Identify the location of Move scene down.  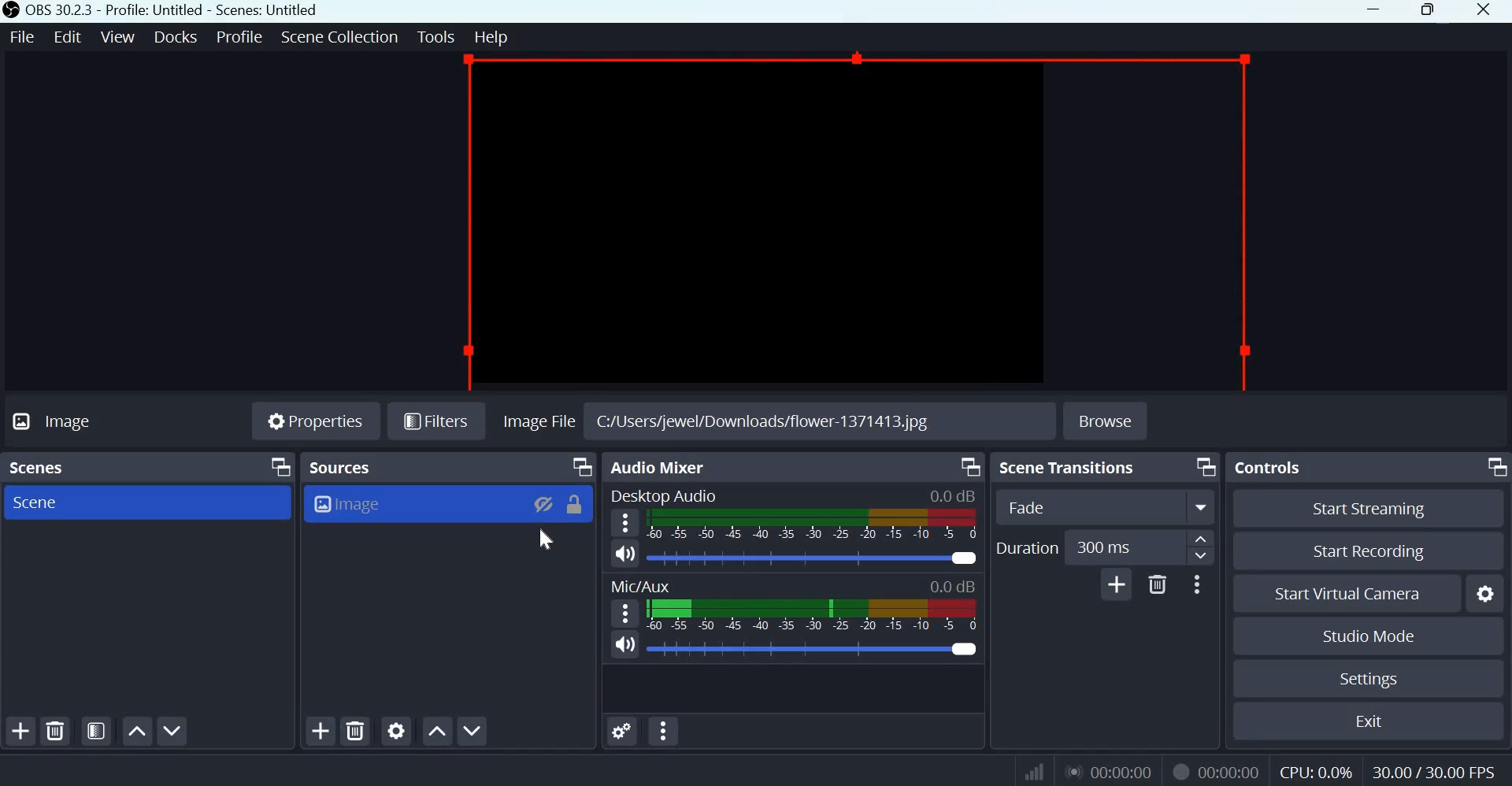
(172, 732).